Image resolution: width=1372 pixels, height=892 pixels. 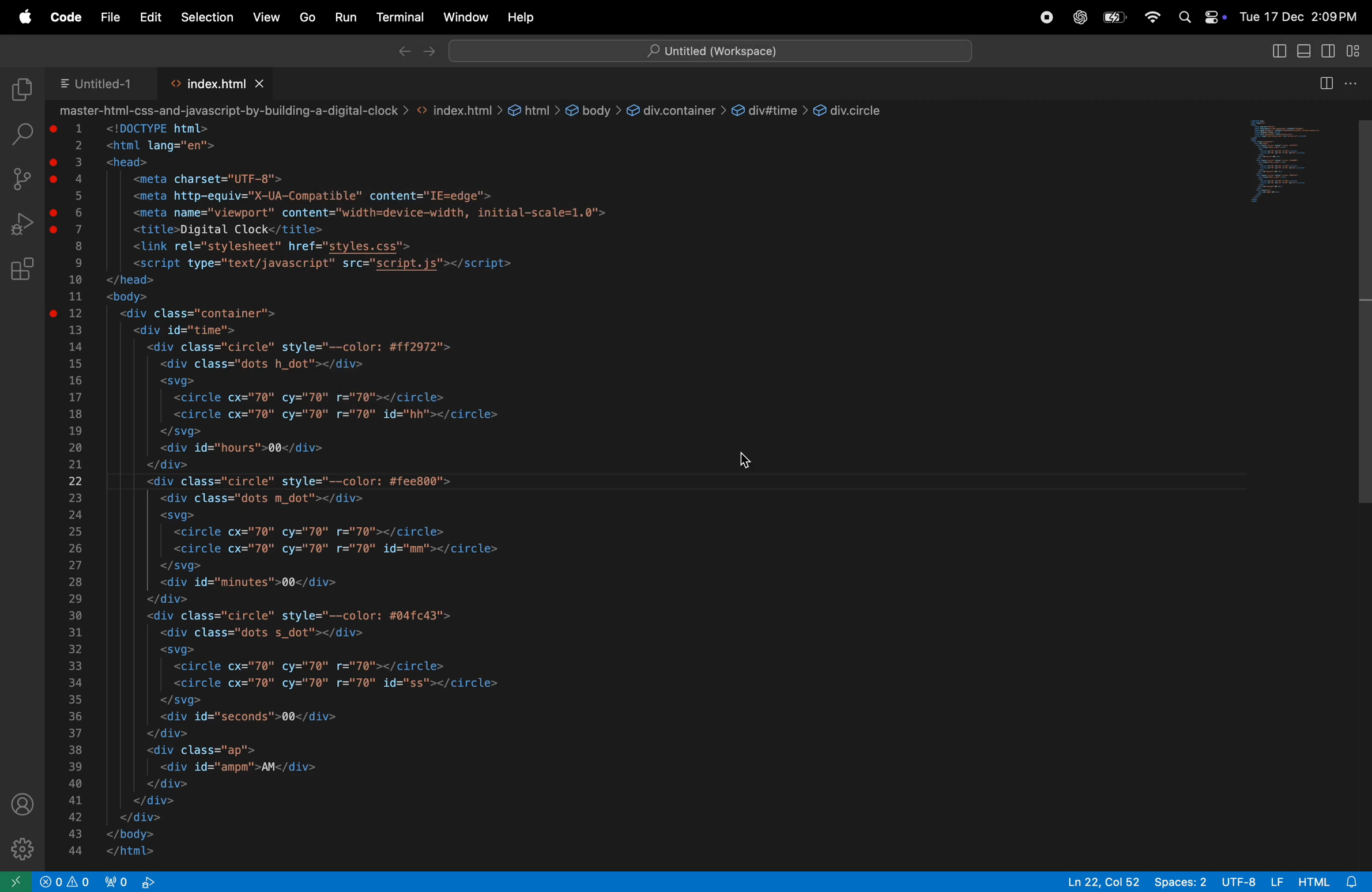 I want to click on line numbers, so click(x=77, y=490).